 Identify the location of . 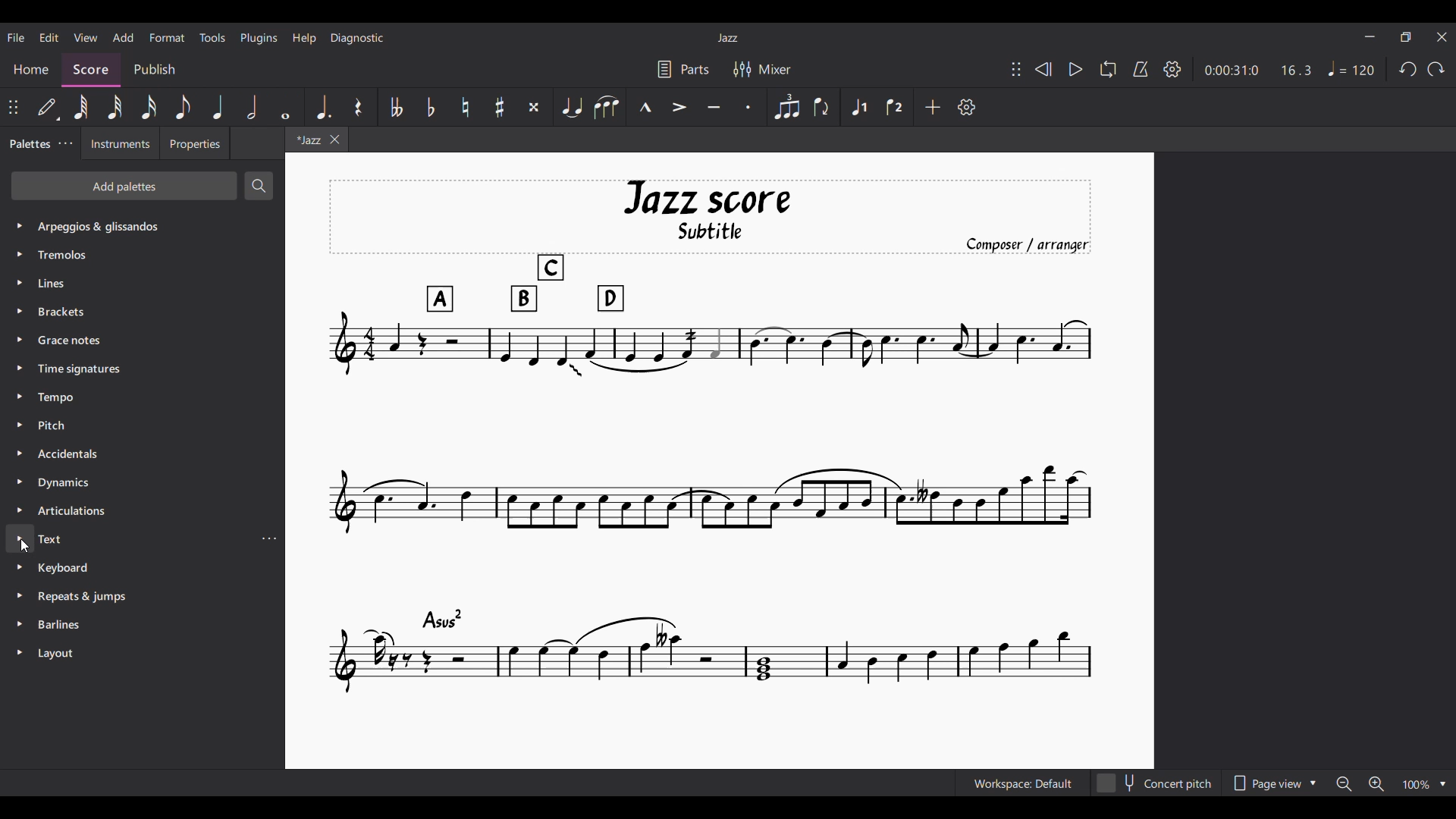
(67, 312).